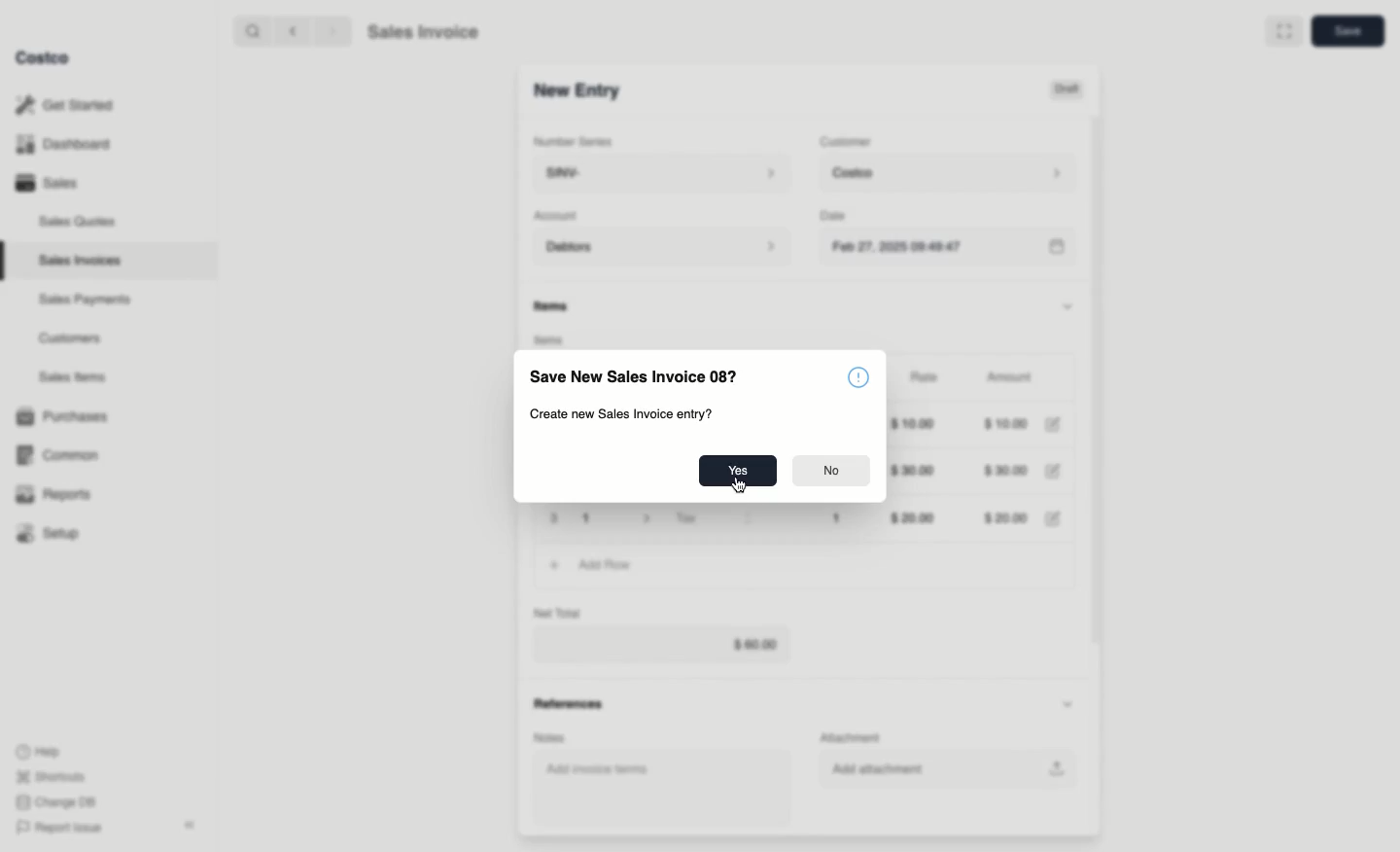 This screenshot has width=1400, height=852. What do you see at coordinates (330, 30) in the screenshot?
I see `forward` at bounding box center [330, 30].